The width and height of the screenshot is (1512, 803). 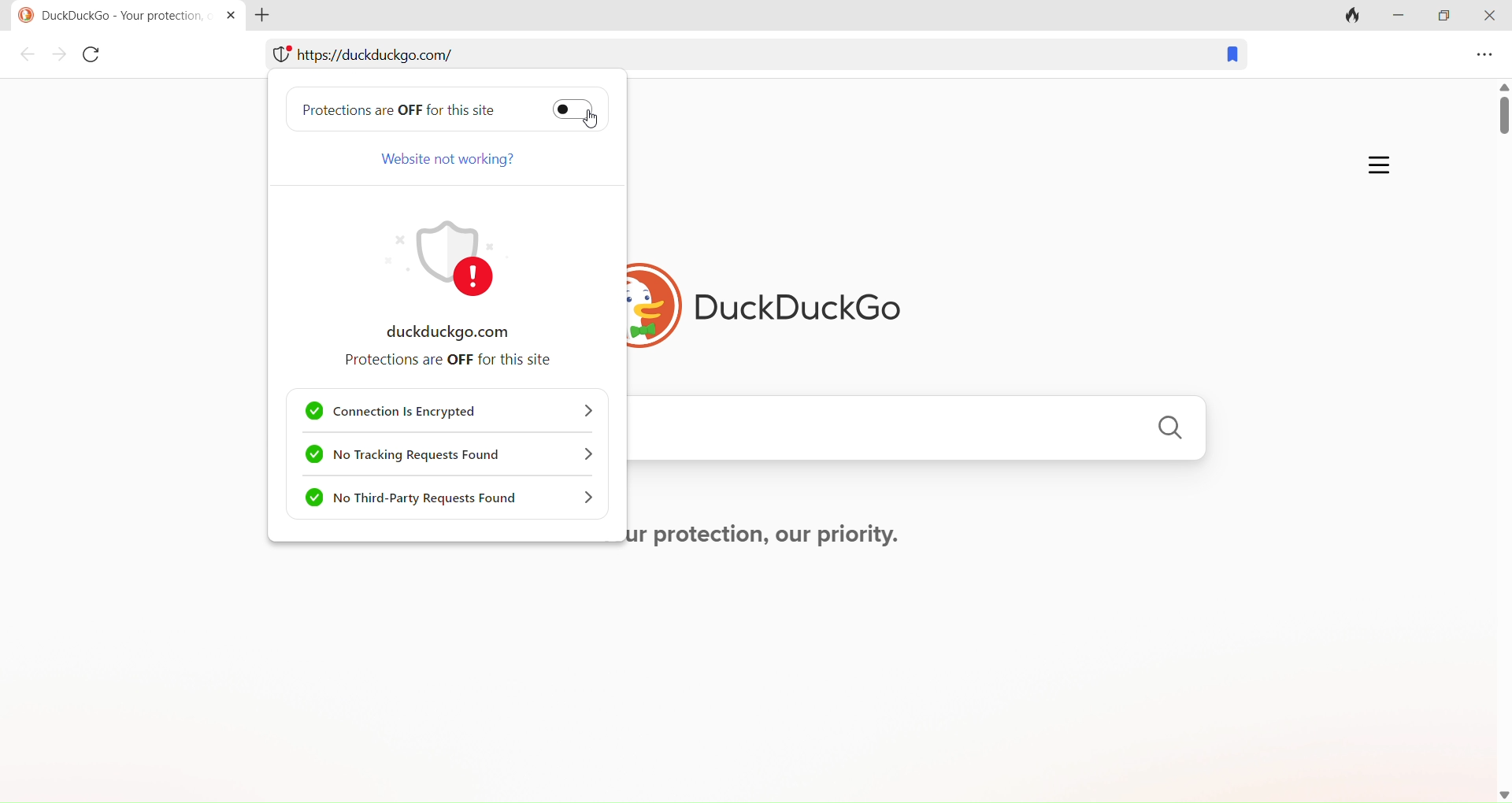 What do you see at coordinates (271, 16) in the screenshot?
I see `new tab` at bounding box center [271, 16].